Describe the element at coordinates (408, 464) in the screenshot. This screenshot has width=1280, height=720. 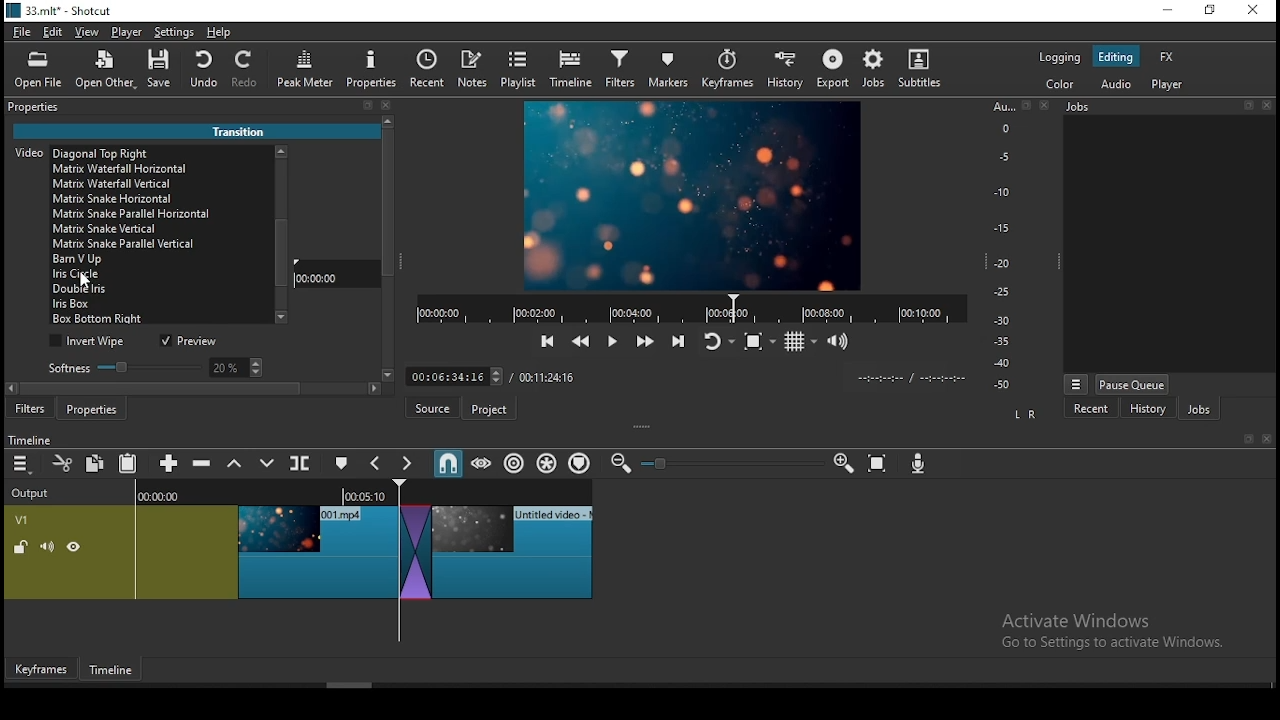
I see `next marker` at that location.